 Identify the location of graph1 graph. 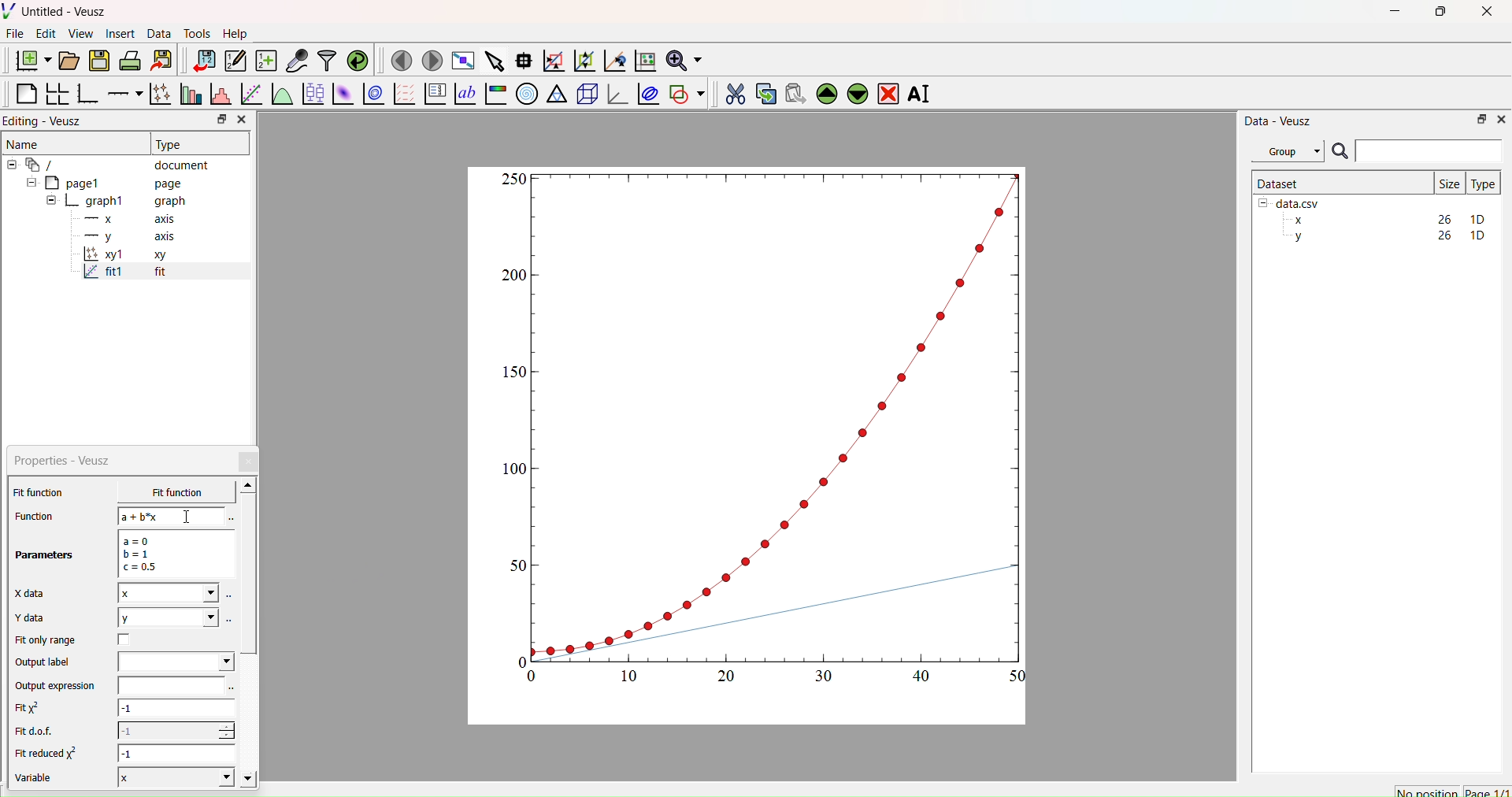
(117, 202).